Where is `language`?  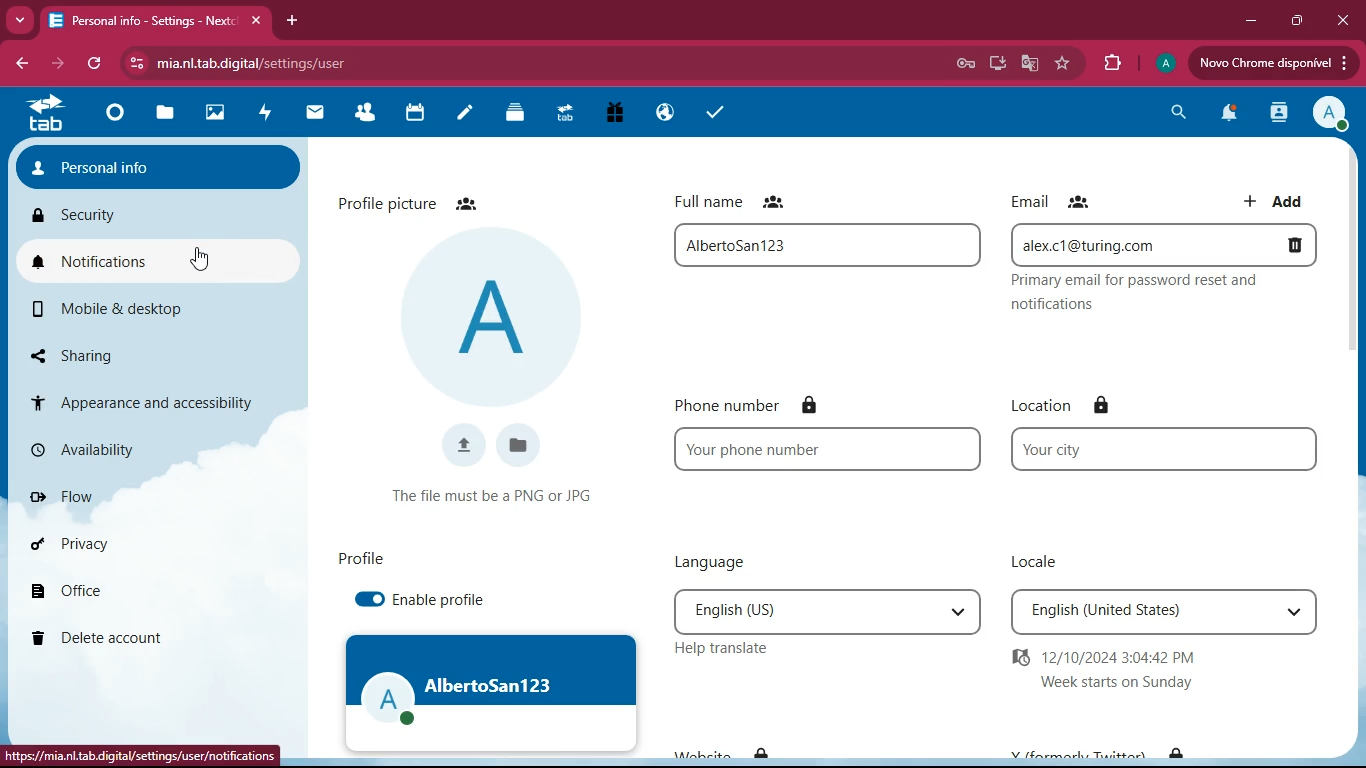
language is located at coordinates (724, 563).